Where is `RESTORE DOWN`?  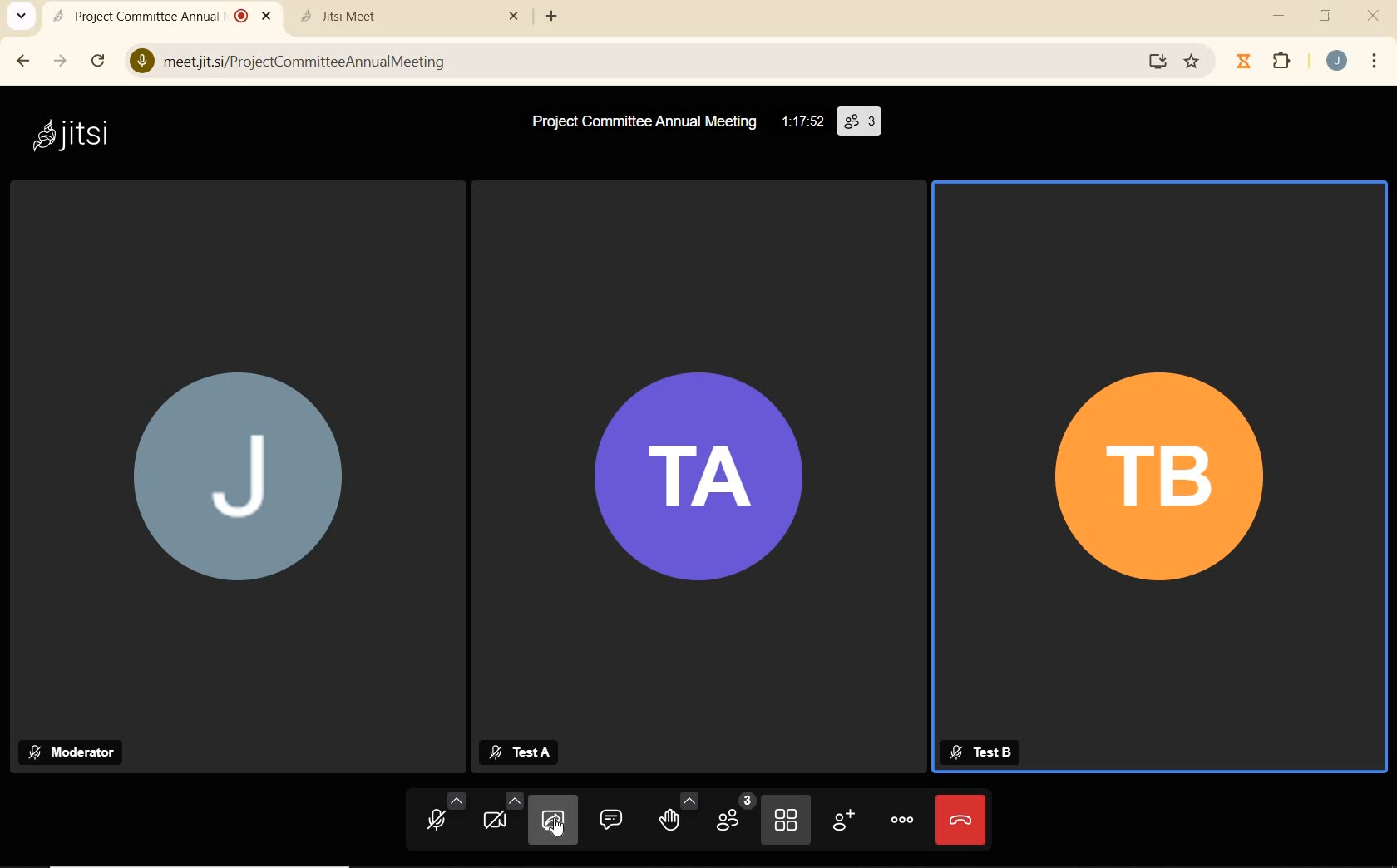
RESTORE DOWN is located at coordinates (1325, 16).